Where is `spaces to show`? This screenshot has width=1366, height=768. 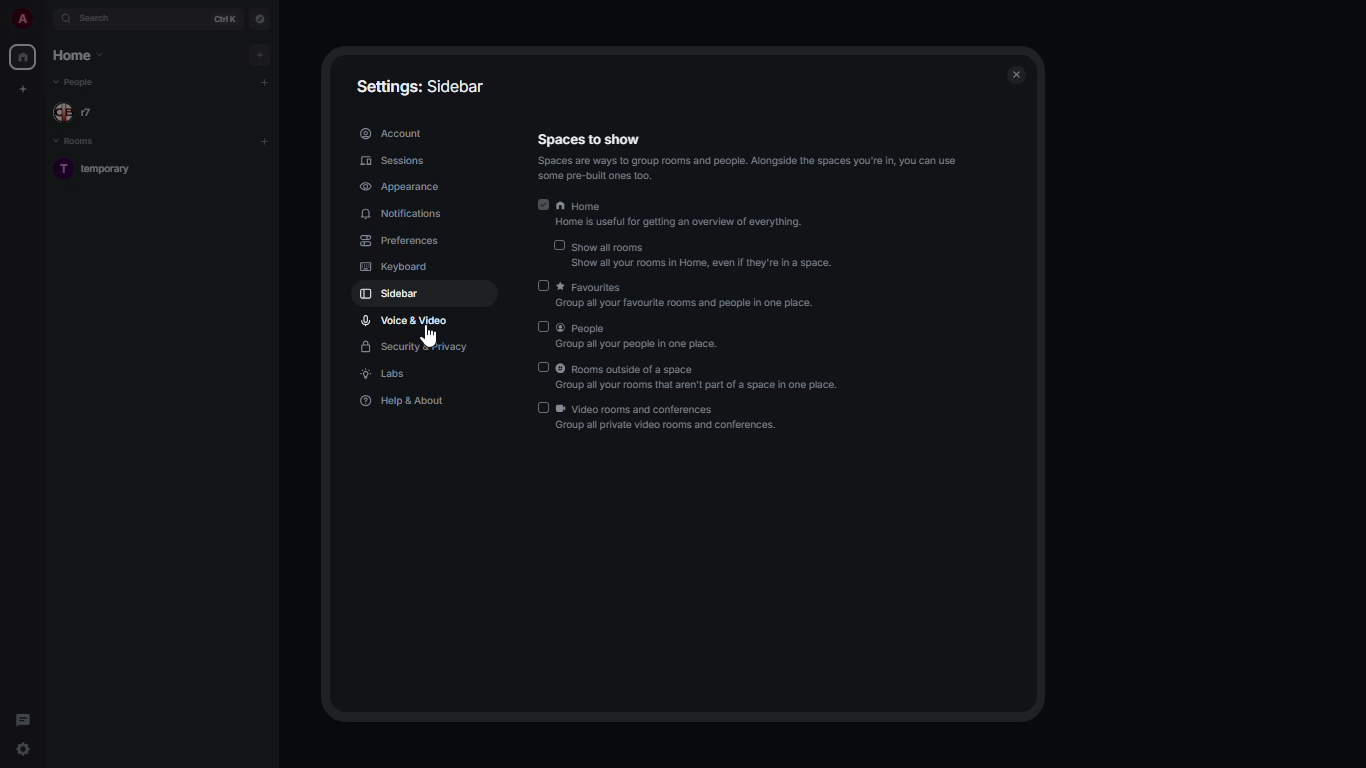
spaces to show is located at coordinates (750, 155).